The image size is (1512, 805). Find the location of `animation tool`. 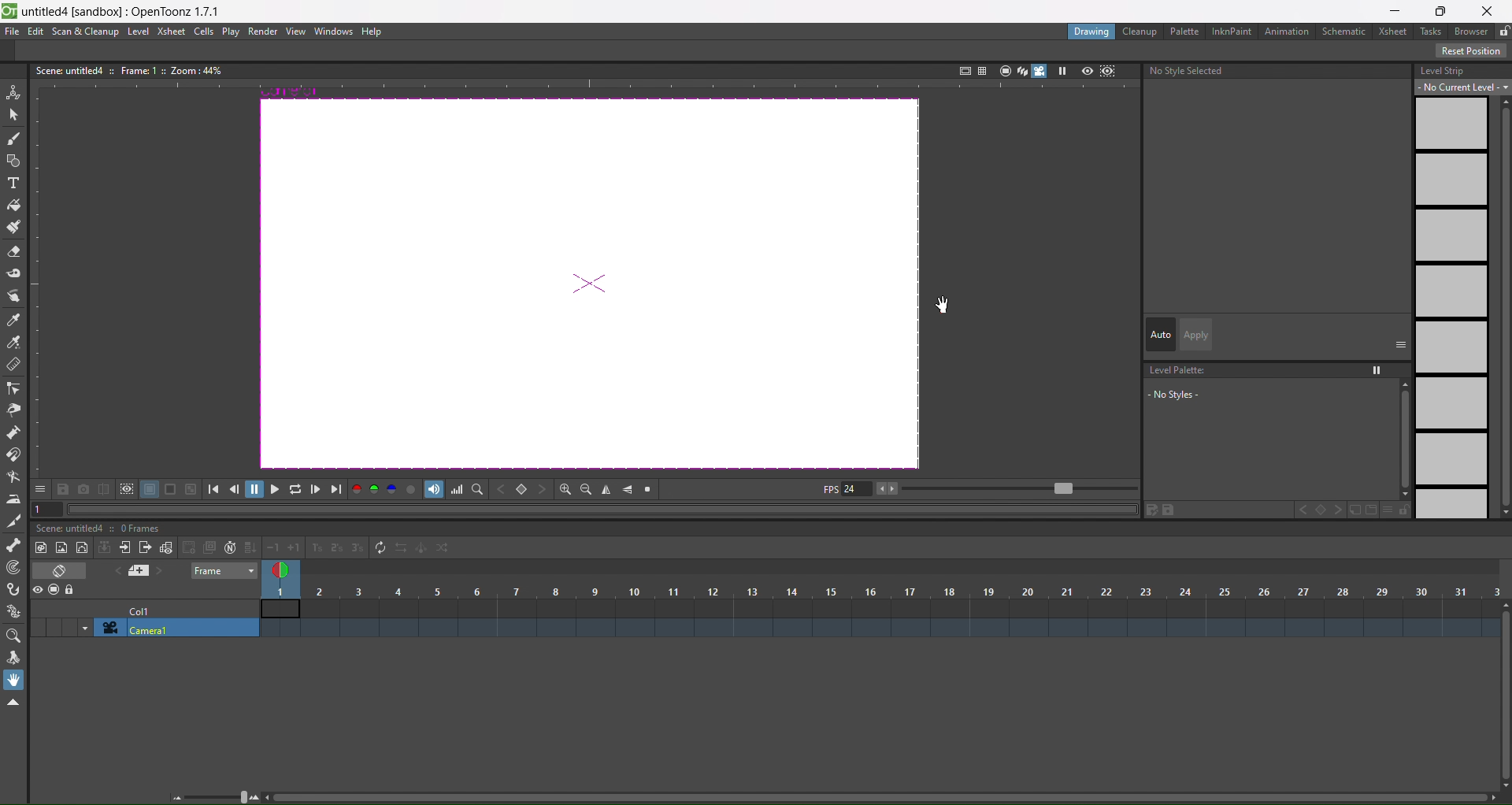

animation tool is located at coordinates (13, 91).